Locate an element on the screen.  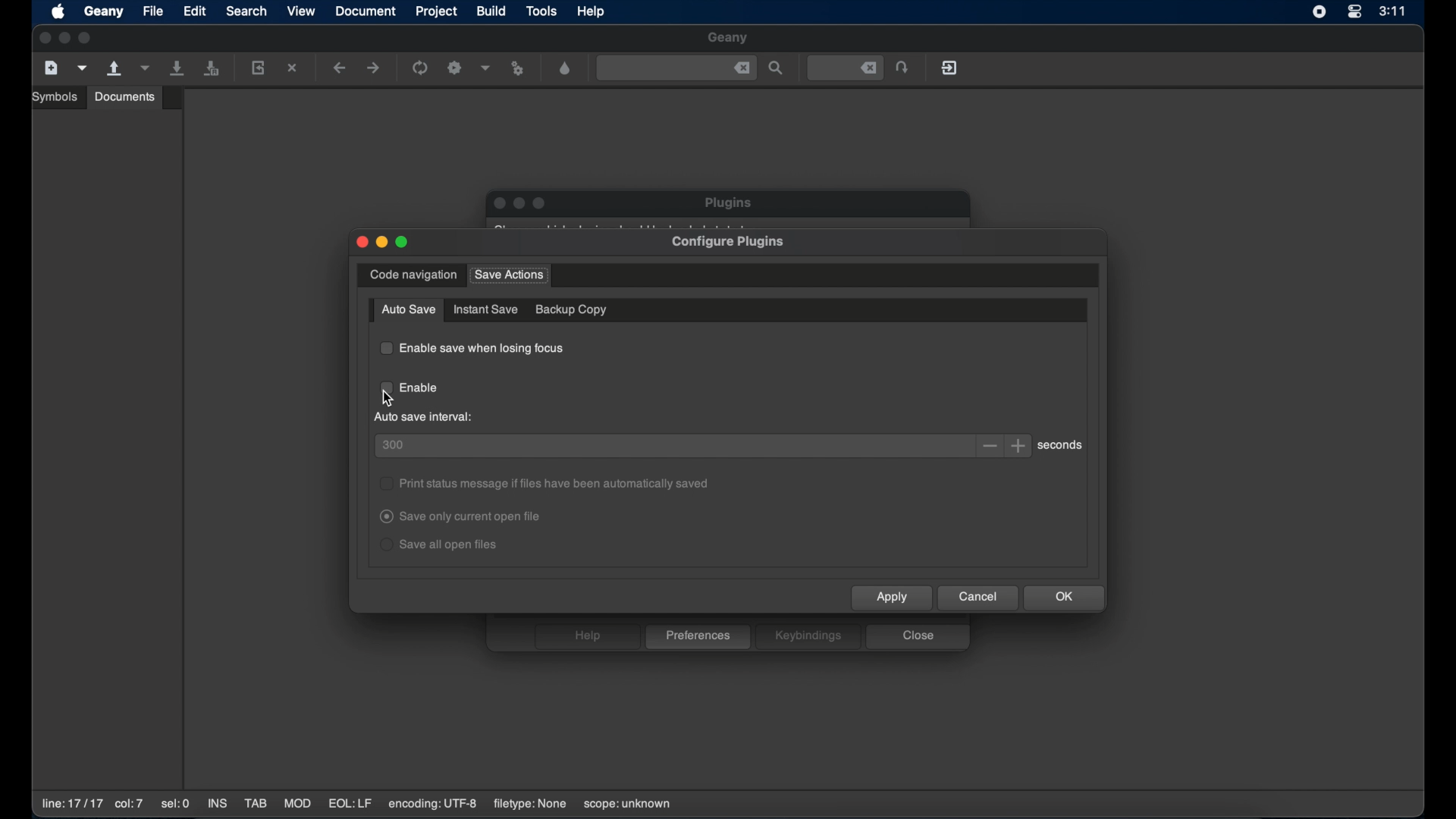
minimize is located at coordinates (381, 243).